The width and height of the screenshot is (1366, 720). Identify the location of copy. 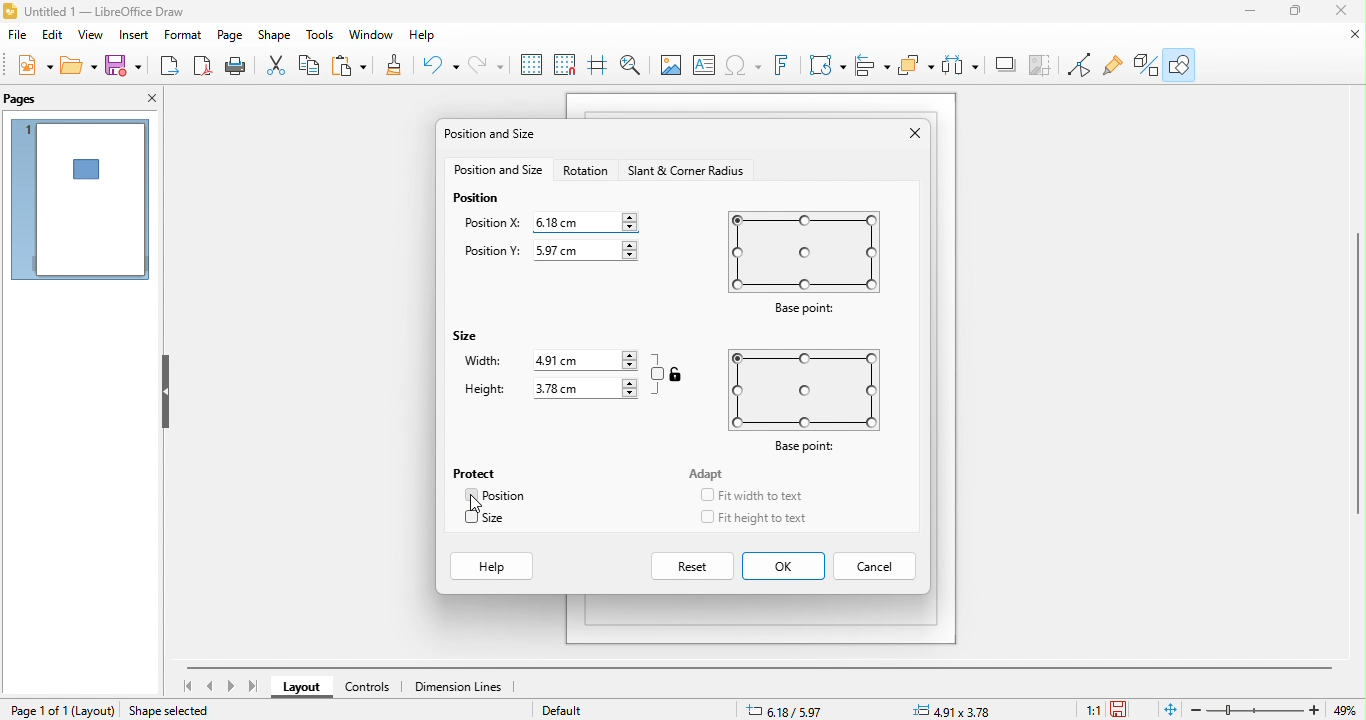
(312, 67).